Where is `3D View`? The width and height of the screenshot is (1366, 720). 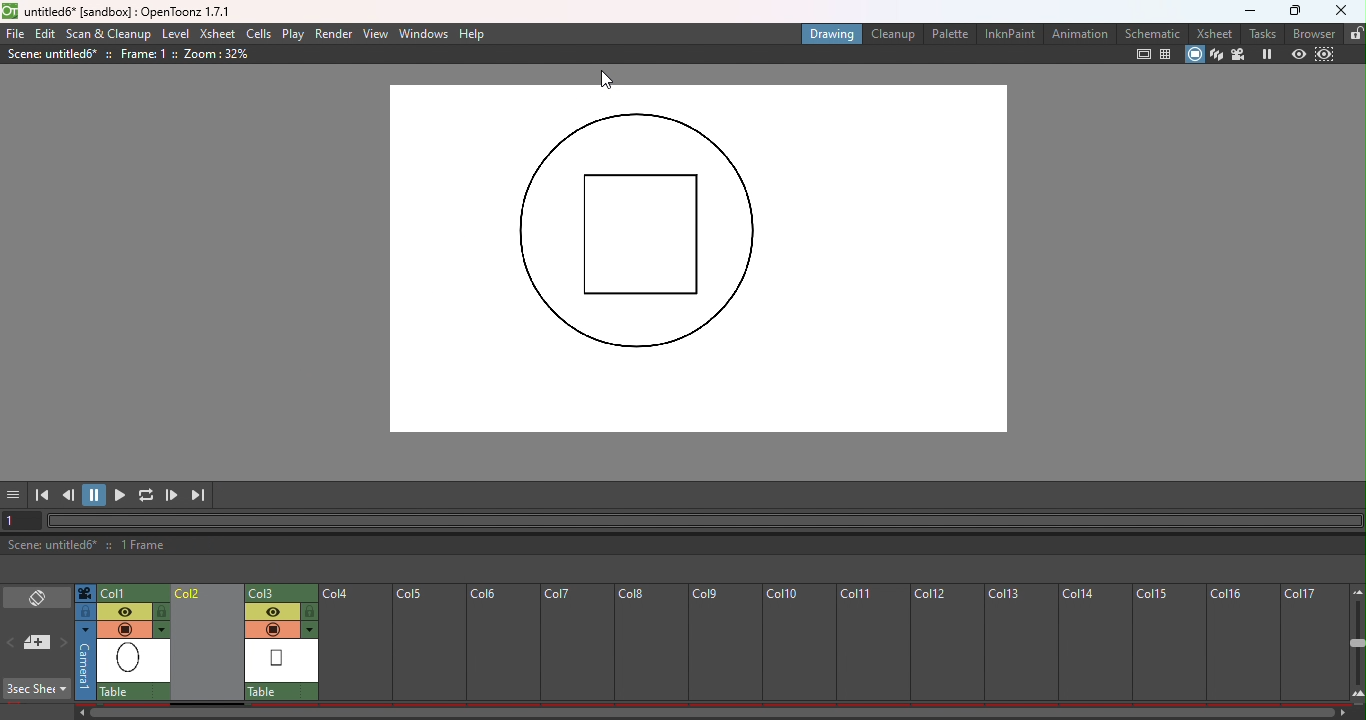
3D View is located at coordinates (1216, 55).